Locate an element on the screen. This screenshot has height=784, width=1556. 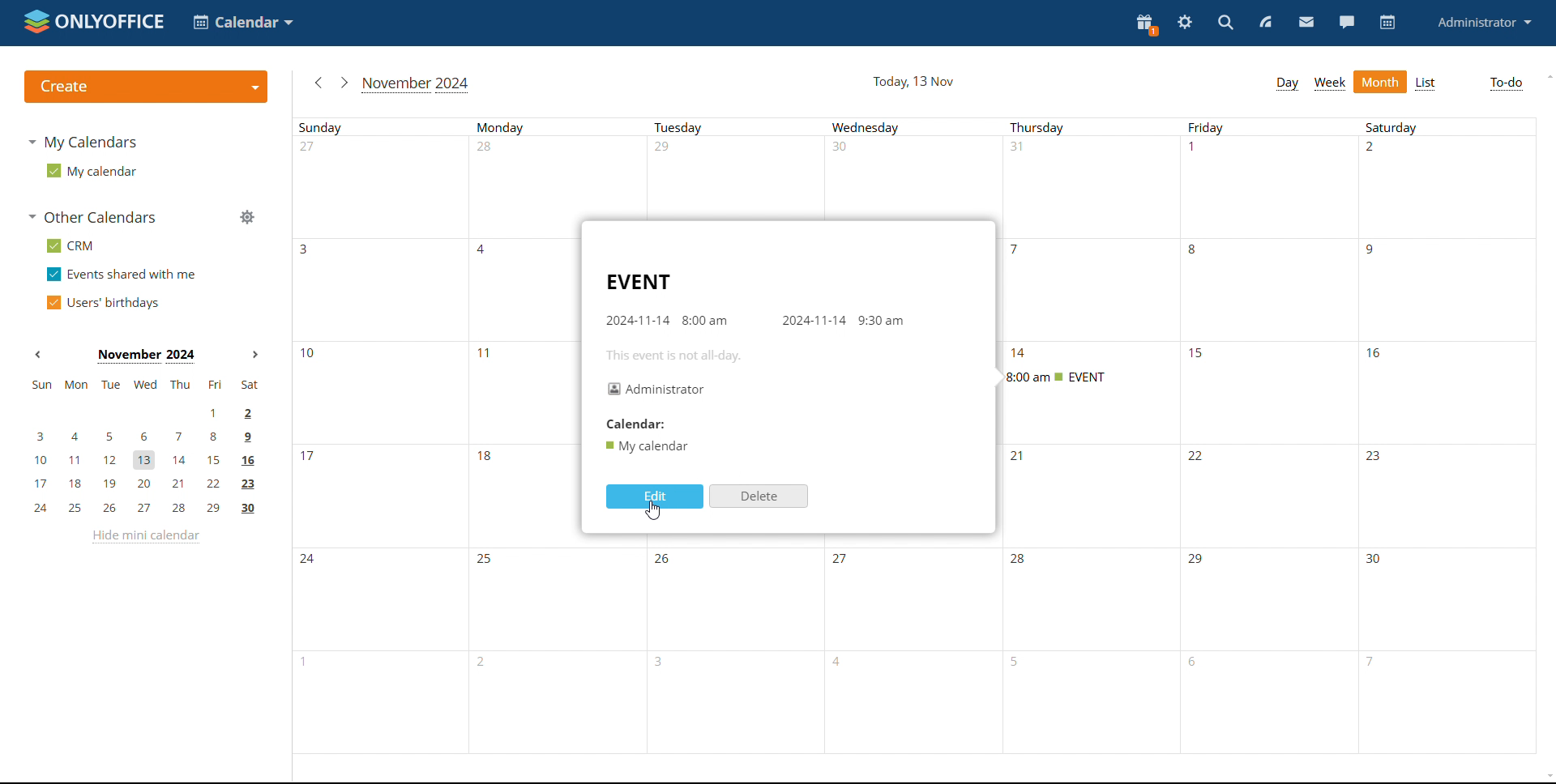
edit is located at coordinates (655, 496).